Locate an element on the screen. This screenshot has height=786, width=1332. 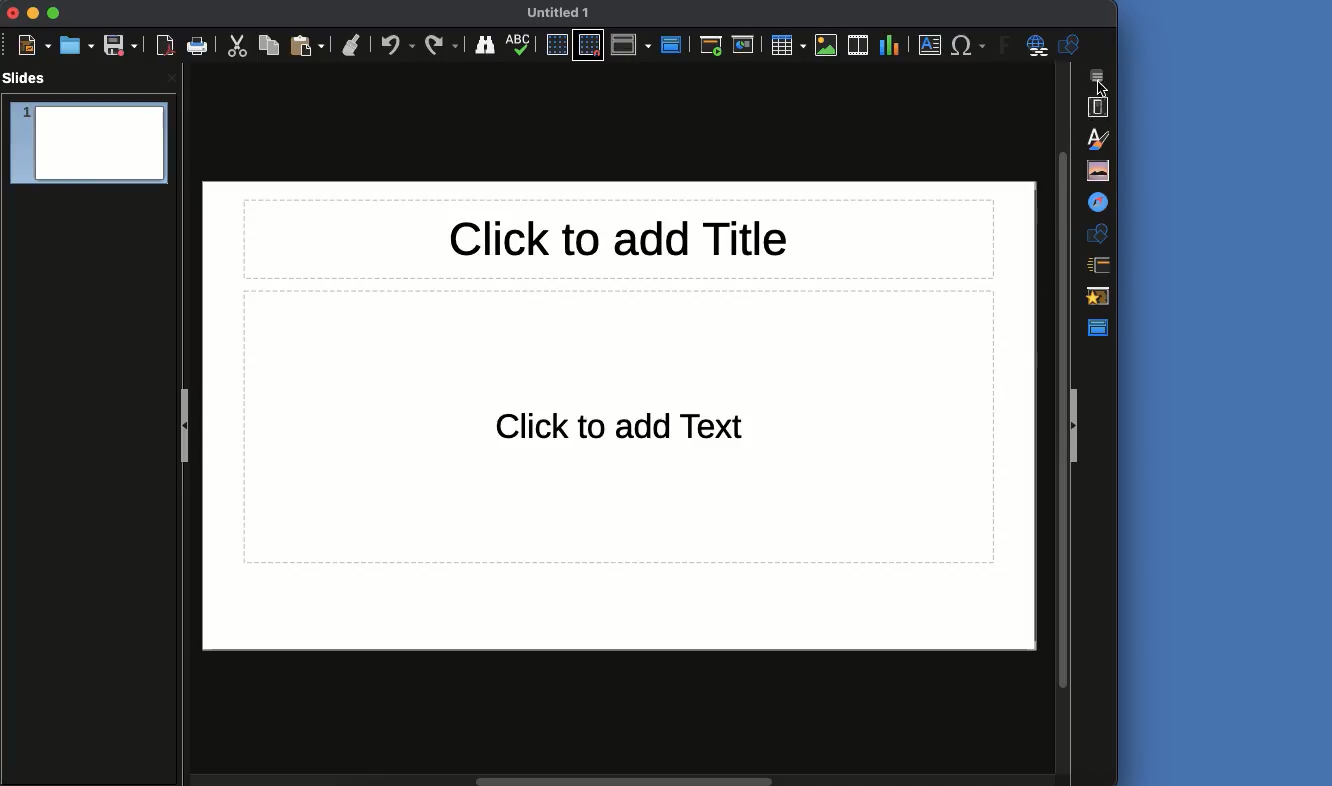
Collapse is located at coordinates (1079, 425).